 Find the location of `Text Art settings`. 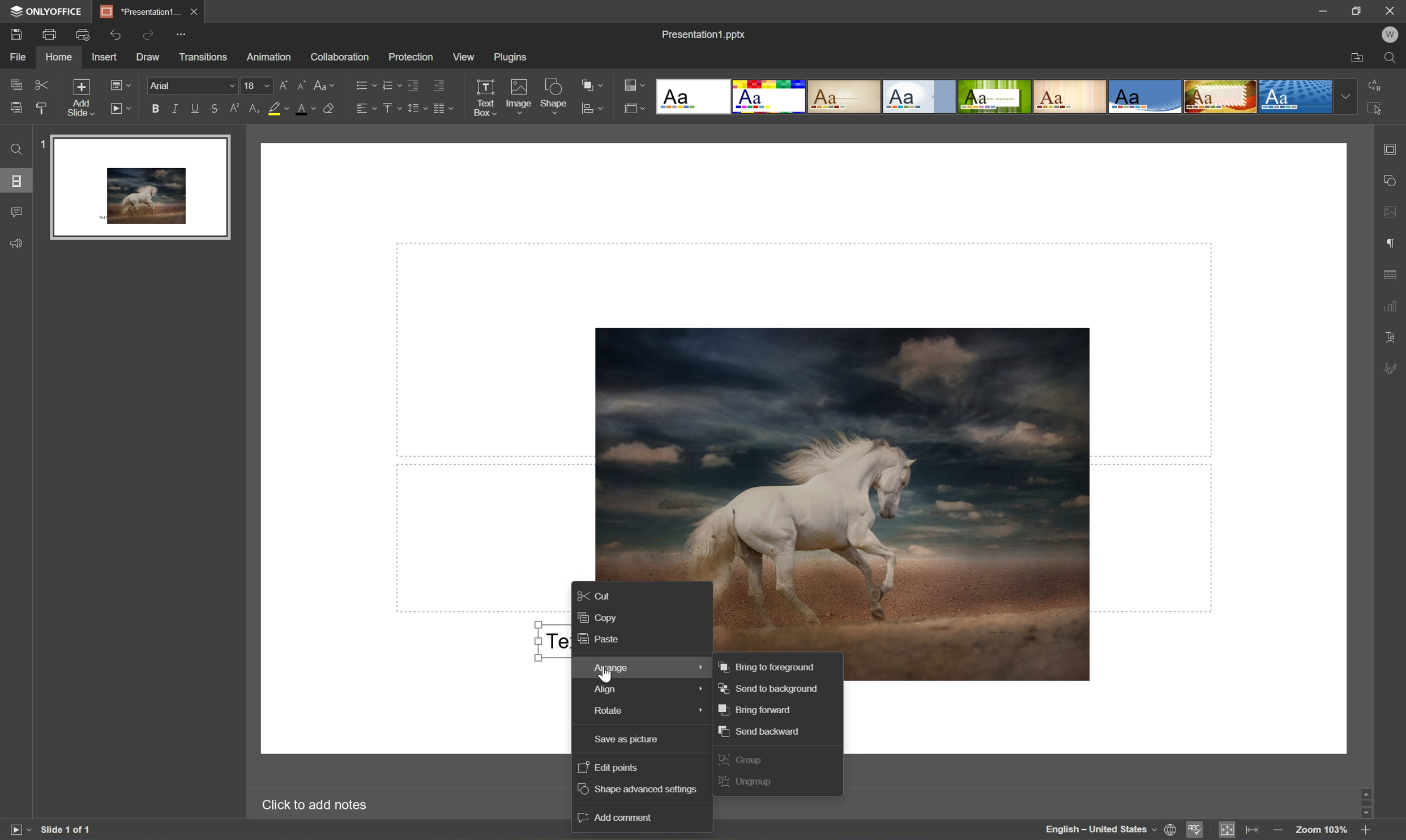

Text Art settings is located at coordinates (1393, 338).